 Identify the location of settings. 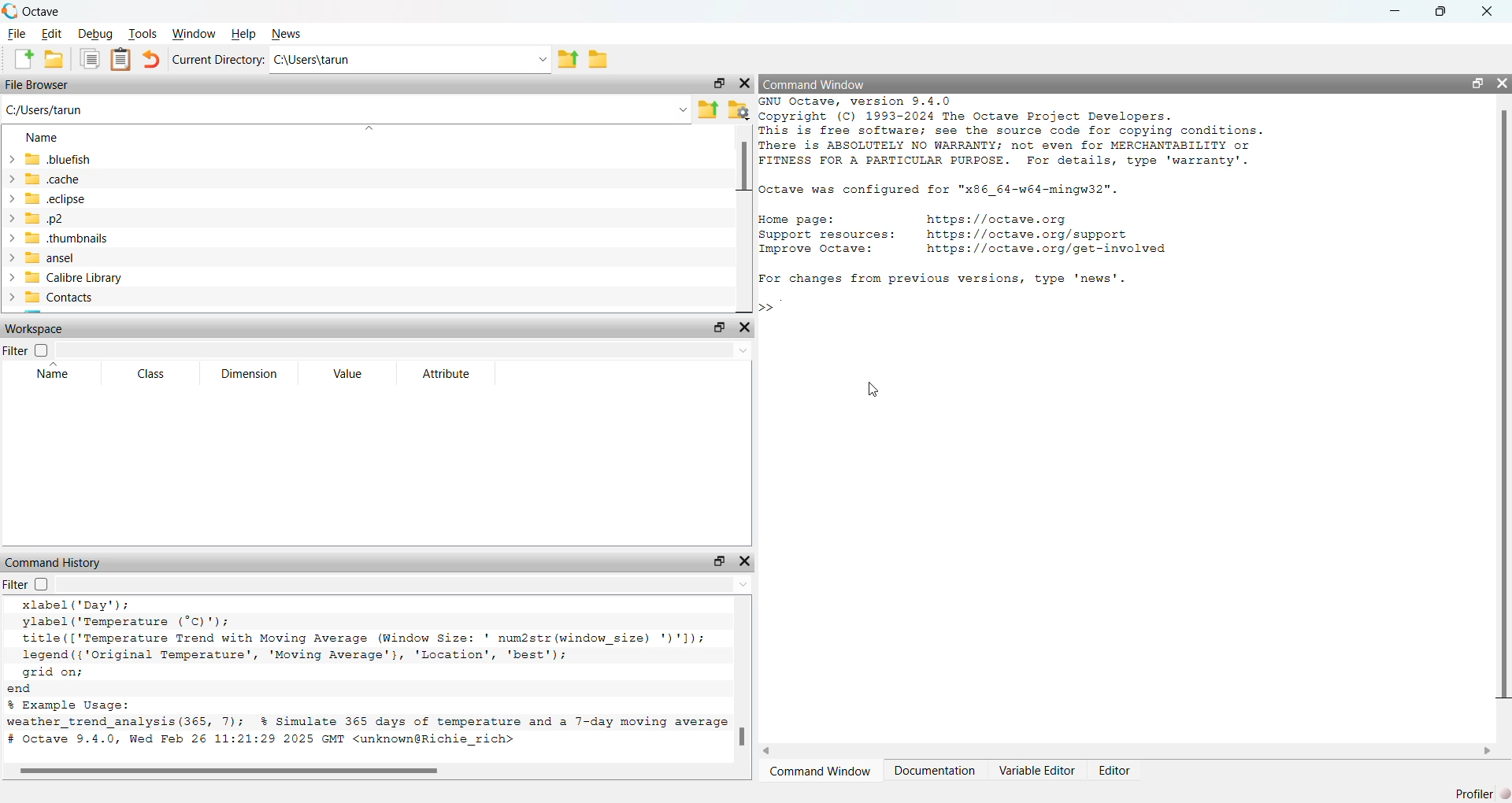
(742, 109).